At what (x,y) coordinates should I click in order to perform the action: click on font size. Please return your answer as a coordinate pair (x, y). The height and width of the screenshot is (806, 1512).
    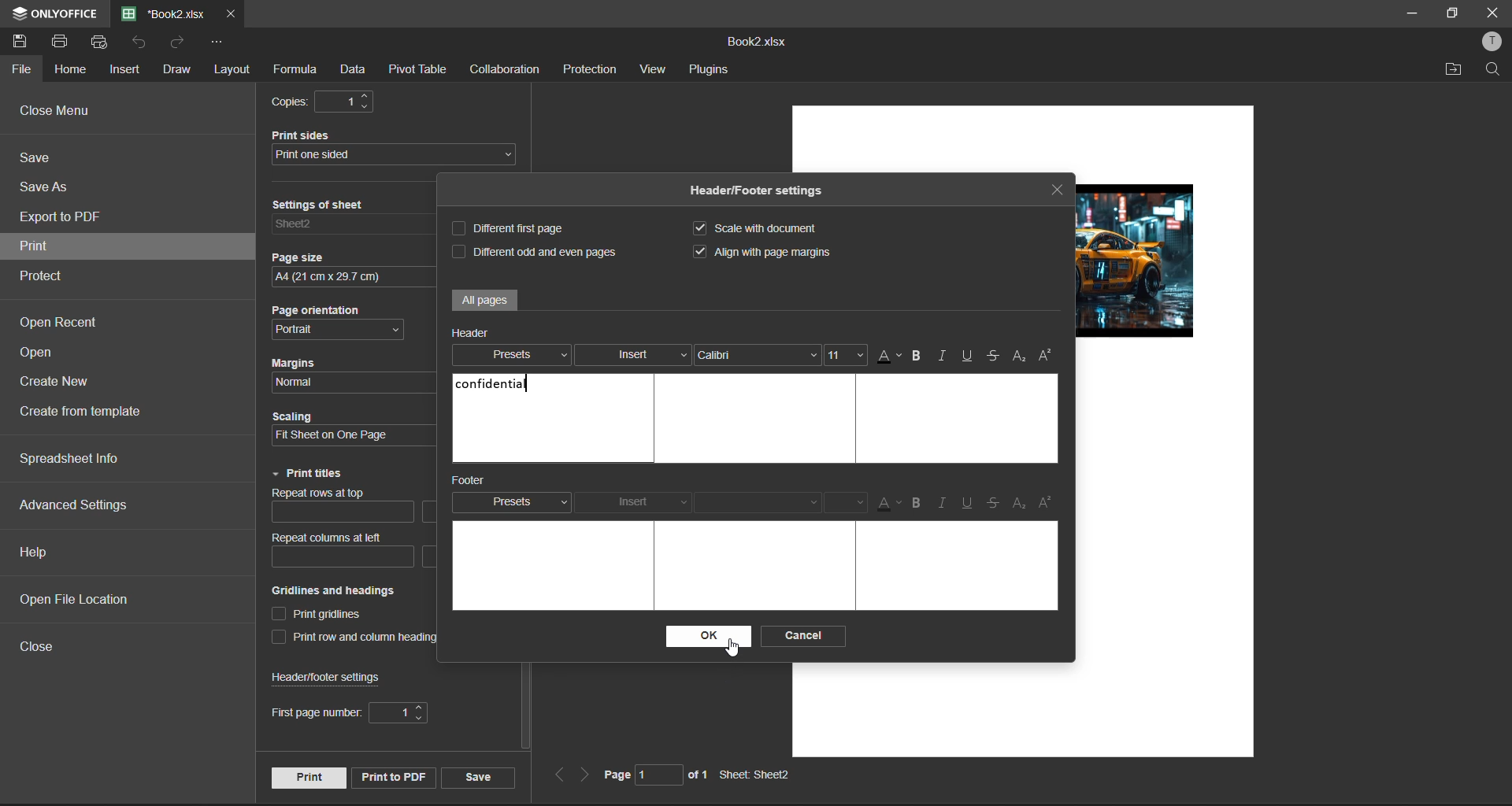
    Looking at the image, I should click on (847, 503).